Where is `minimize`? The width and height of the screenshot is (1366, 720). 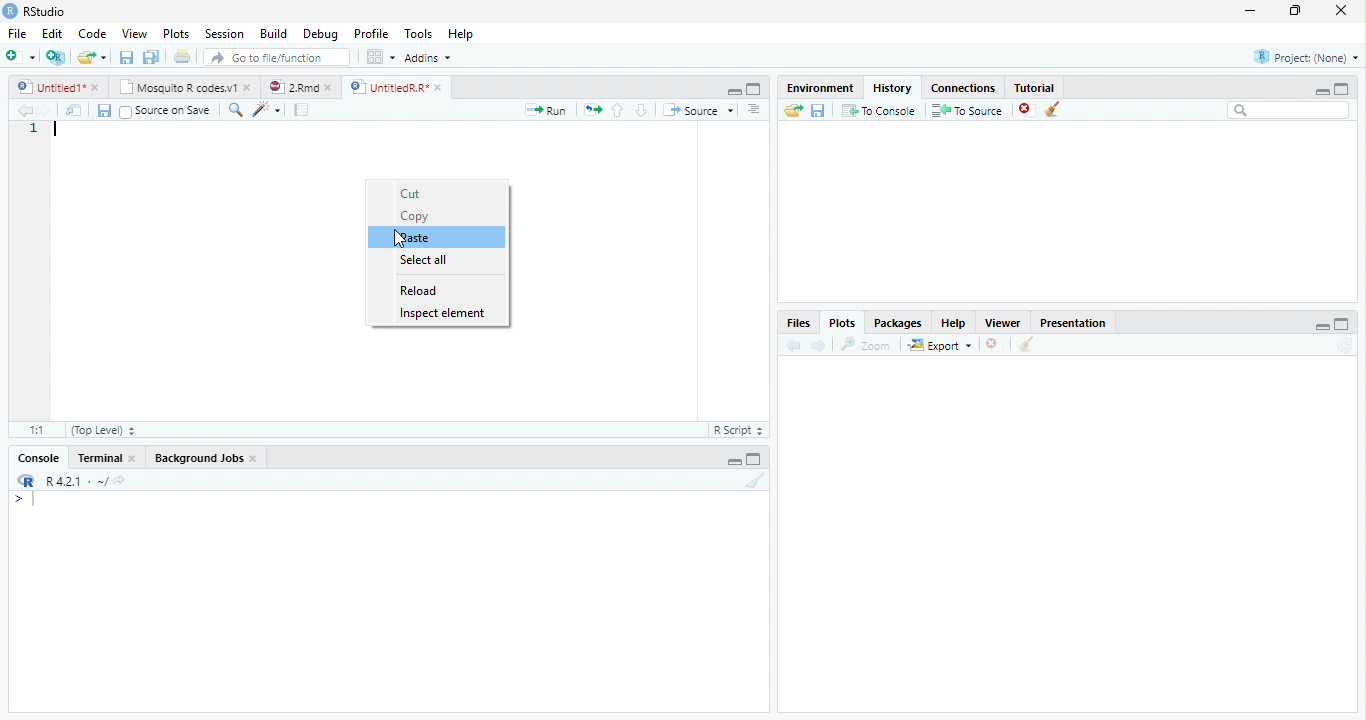
minimize is located at coordinates (1319, 91).